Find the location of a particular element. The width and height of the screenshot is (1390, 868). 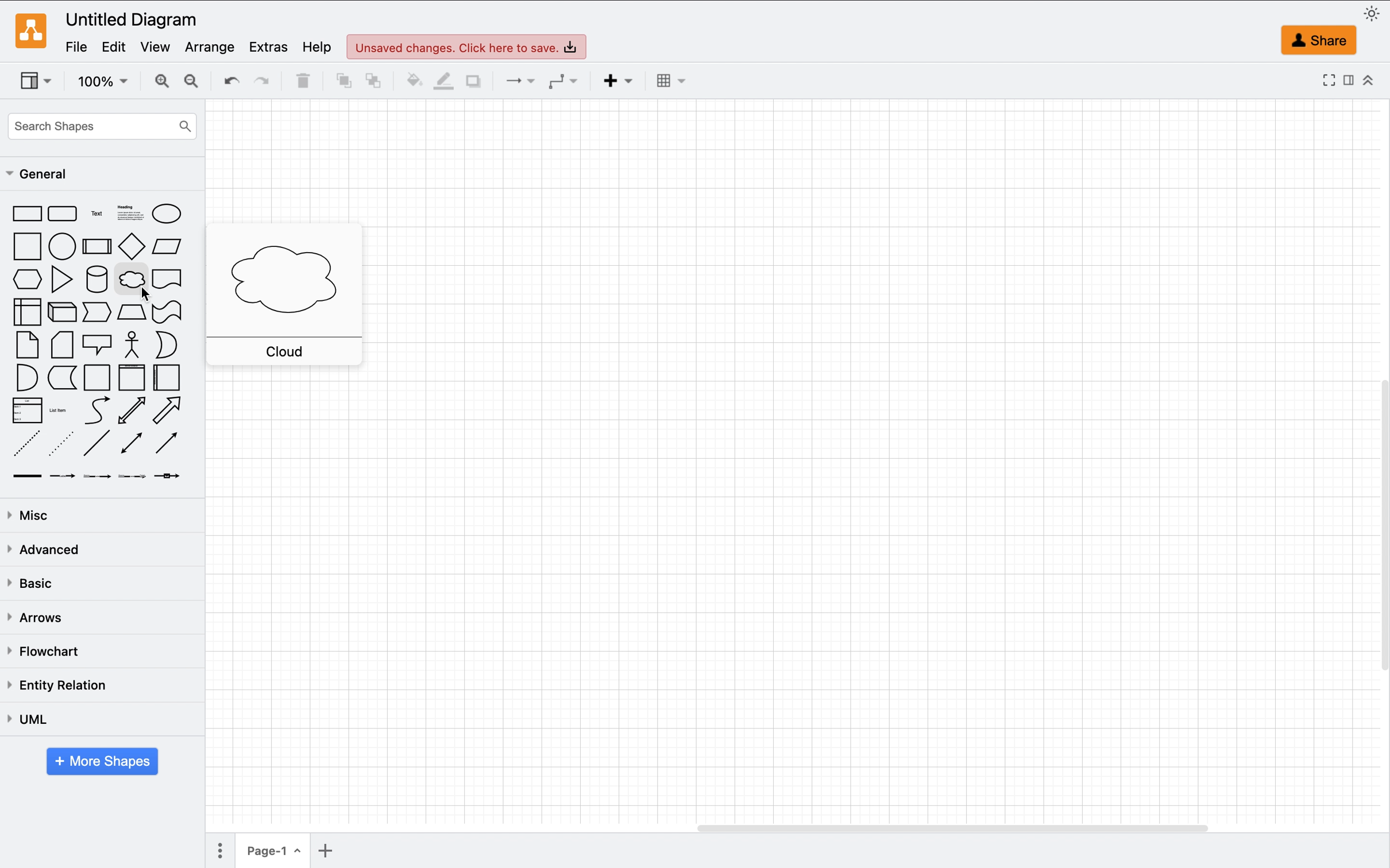

and is located at coordinates (28, 378).